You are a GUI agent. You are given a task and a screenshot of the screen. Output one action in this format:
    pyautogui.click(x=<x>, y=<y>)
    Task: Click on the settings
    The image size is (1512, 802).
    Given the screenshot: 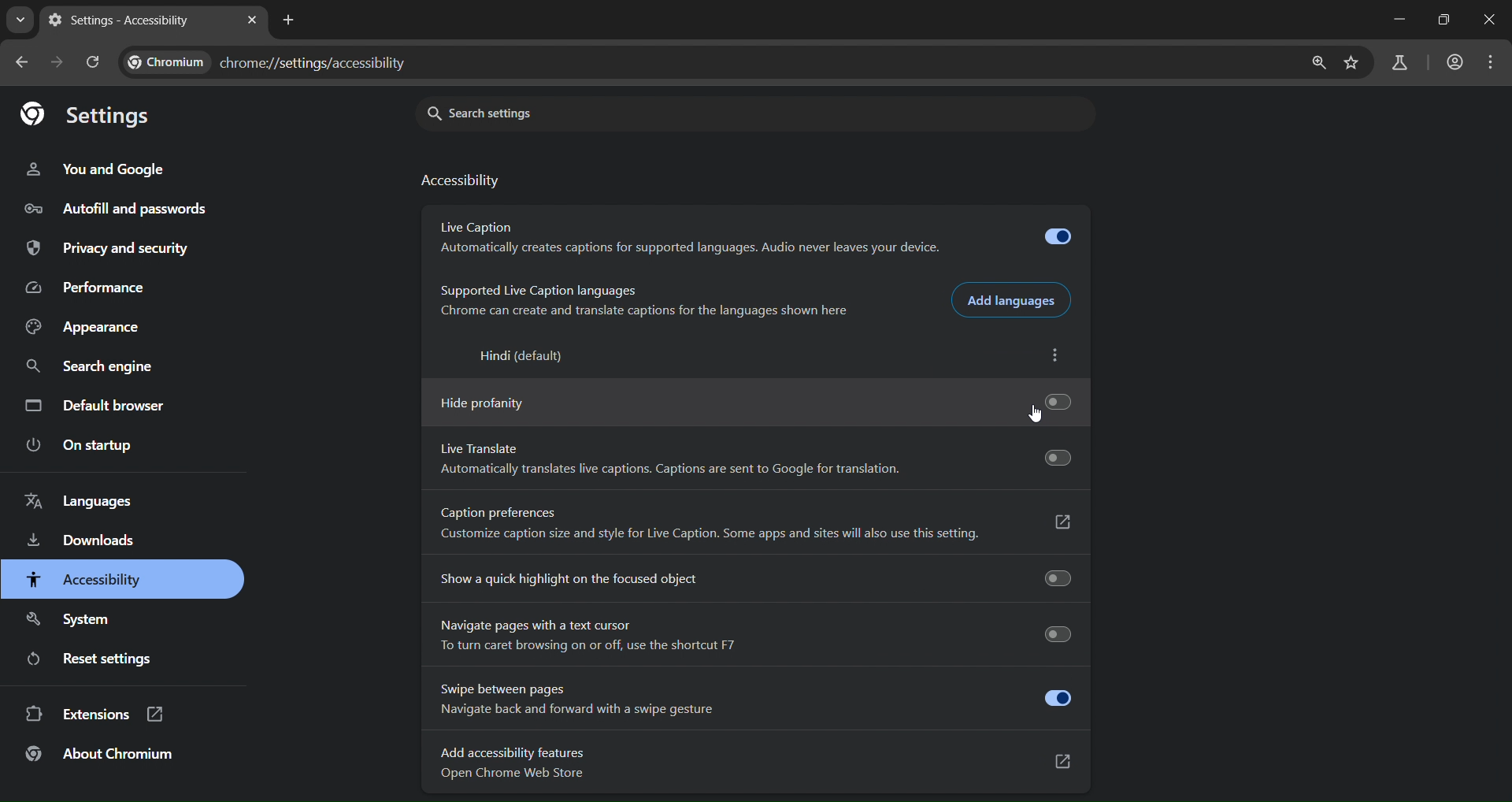 What is the action you would take?
    pyautogui.click(x=86, y=117)
    